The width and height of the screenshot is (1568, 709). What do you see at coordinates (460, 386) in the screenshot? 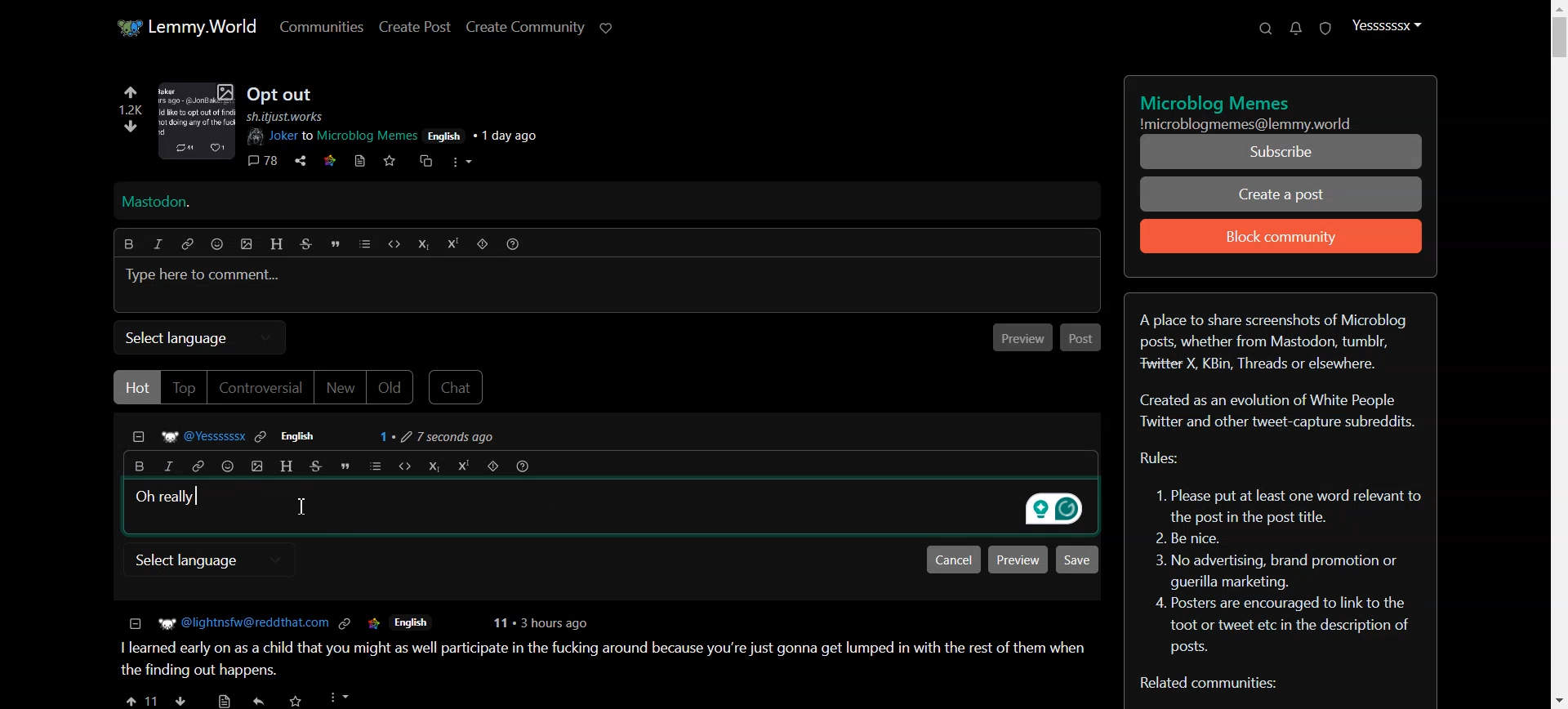
I see `Chat` at bounding box center [460, 386].